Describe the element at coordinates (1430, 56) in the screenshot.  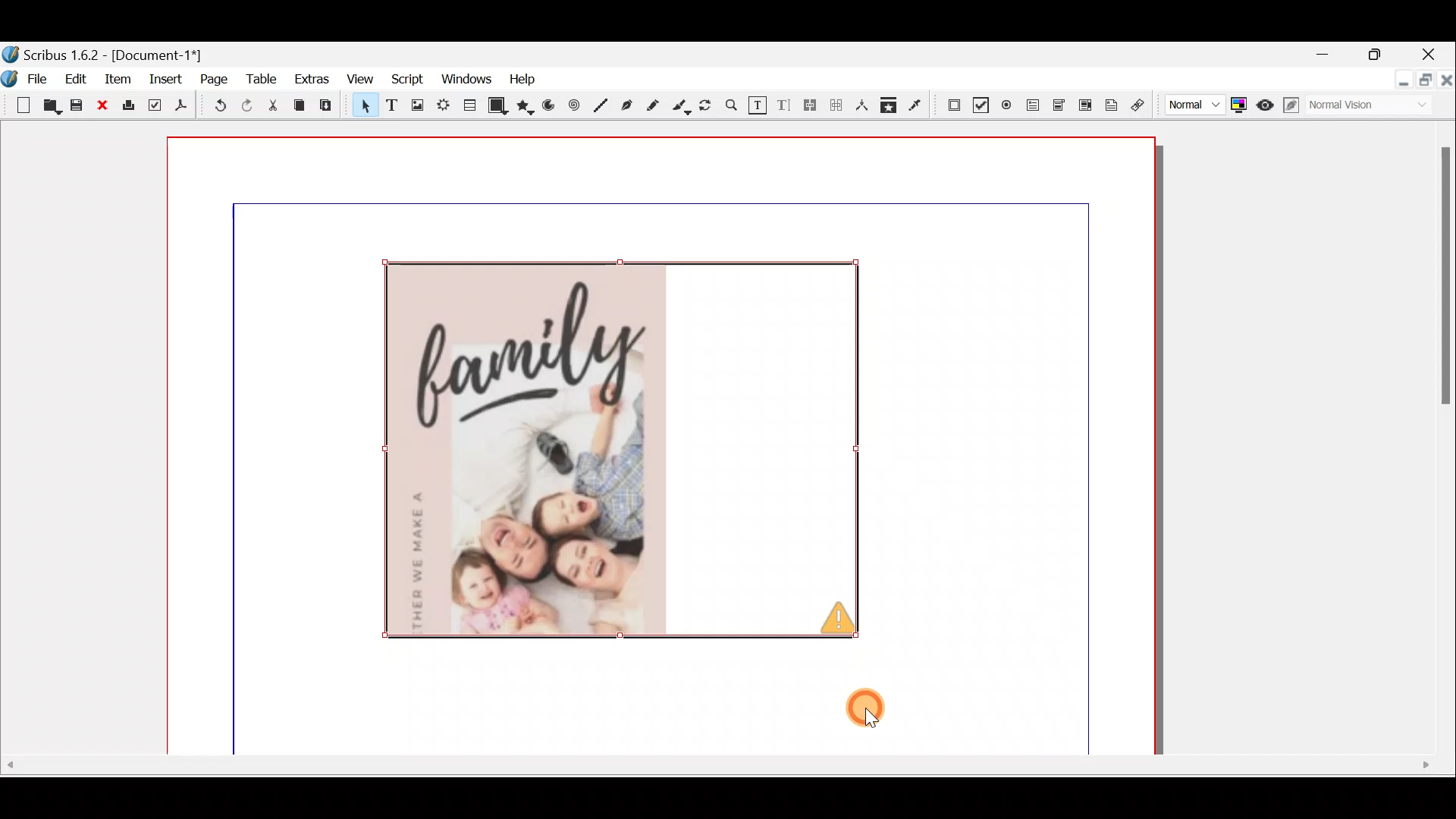
I see `Close` at that location.